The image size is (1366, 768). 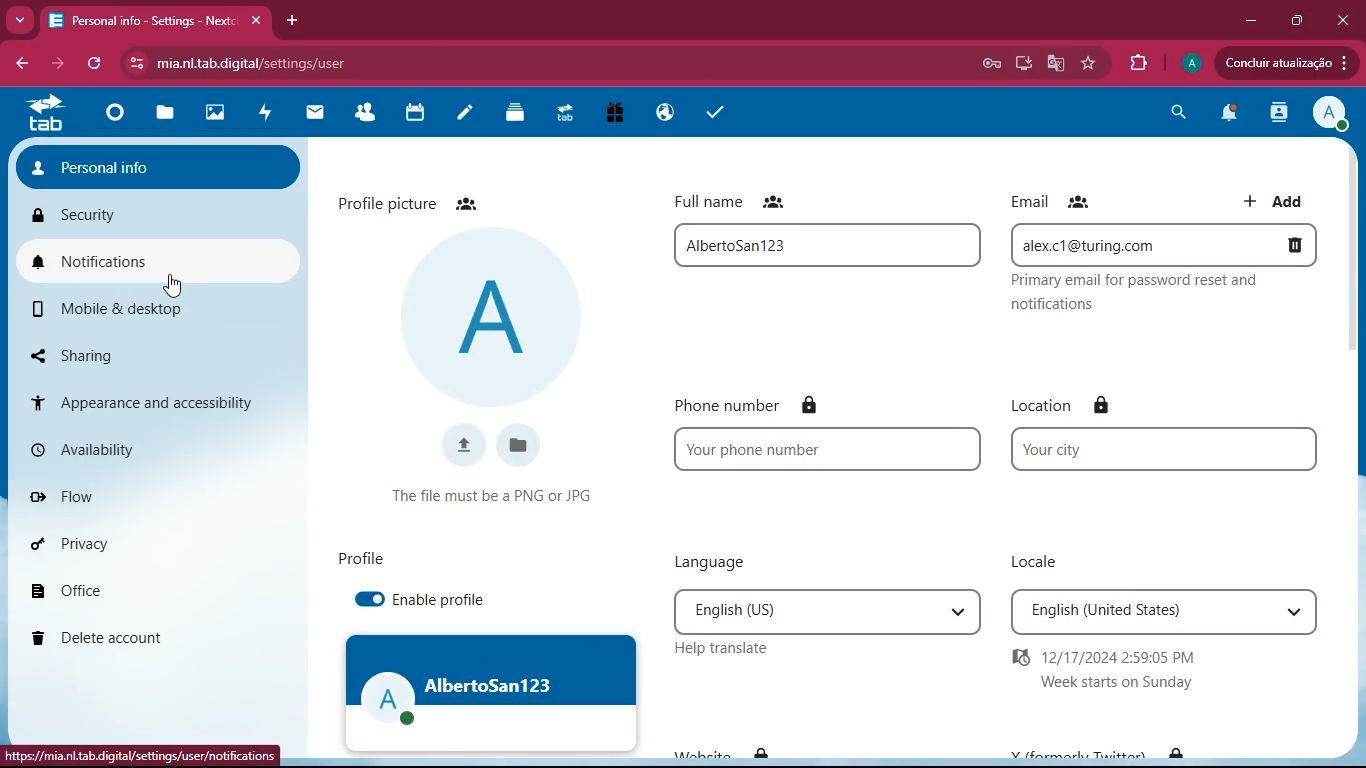 I want to click on forward, so click(x=61, y=65).